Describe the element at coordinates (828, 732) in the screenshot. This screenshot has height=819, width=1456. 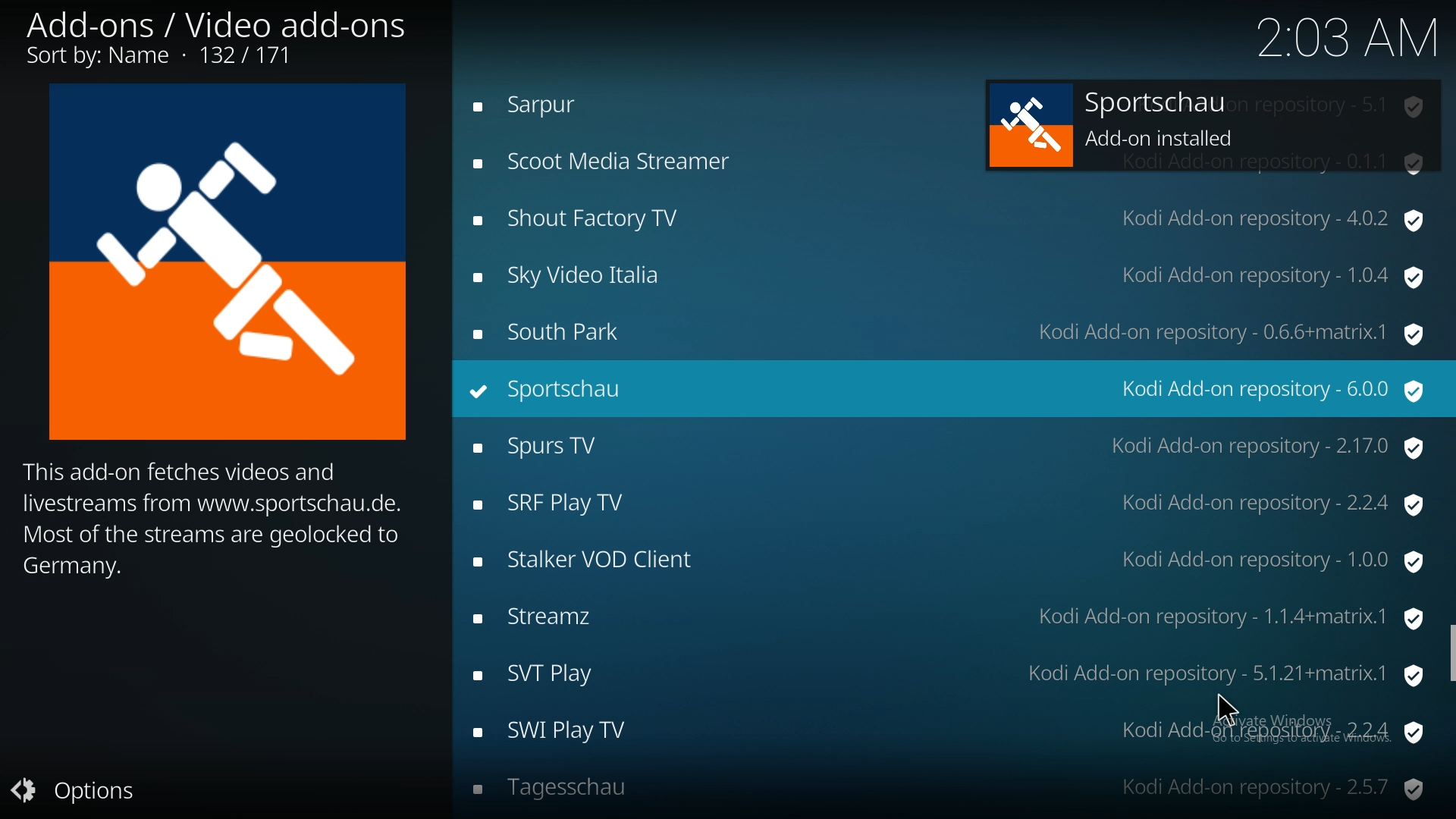
I see `swi play tv` at that location.